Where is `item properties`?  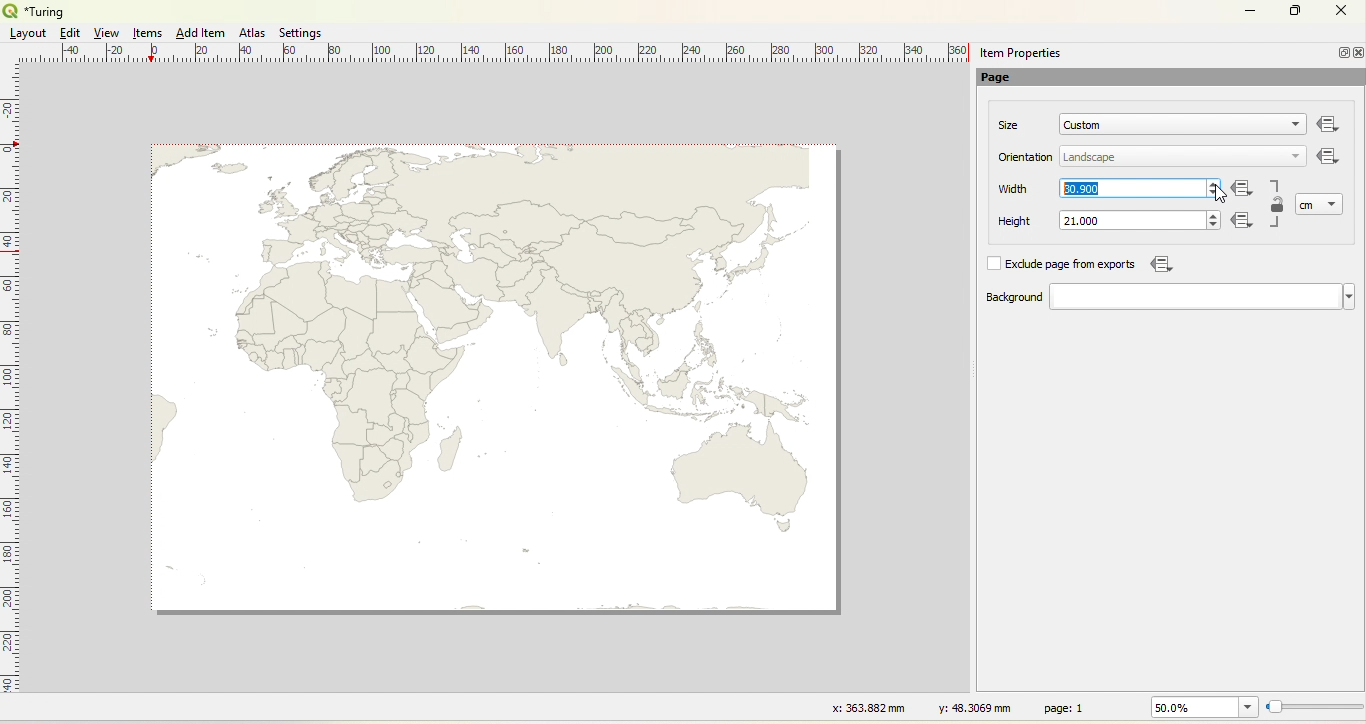 item properties is located at coordinates (1020, 53).